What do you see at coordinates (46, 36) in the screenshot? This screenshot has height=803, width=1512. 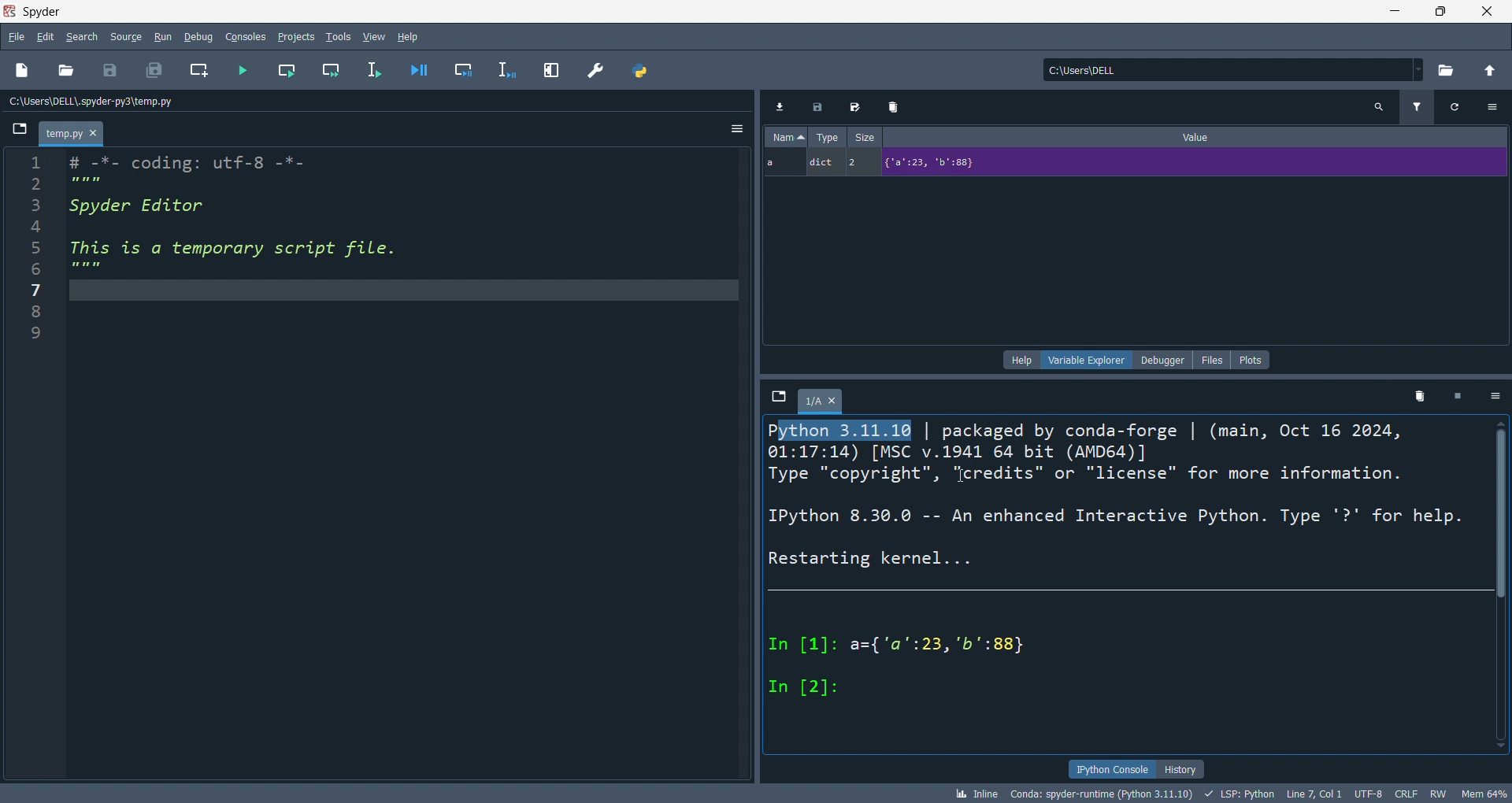 I see `edit` at bounding box center [46, 36].